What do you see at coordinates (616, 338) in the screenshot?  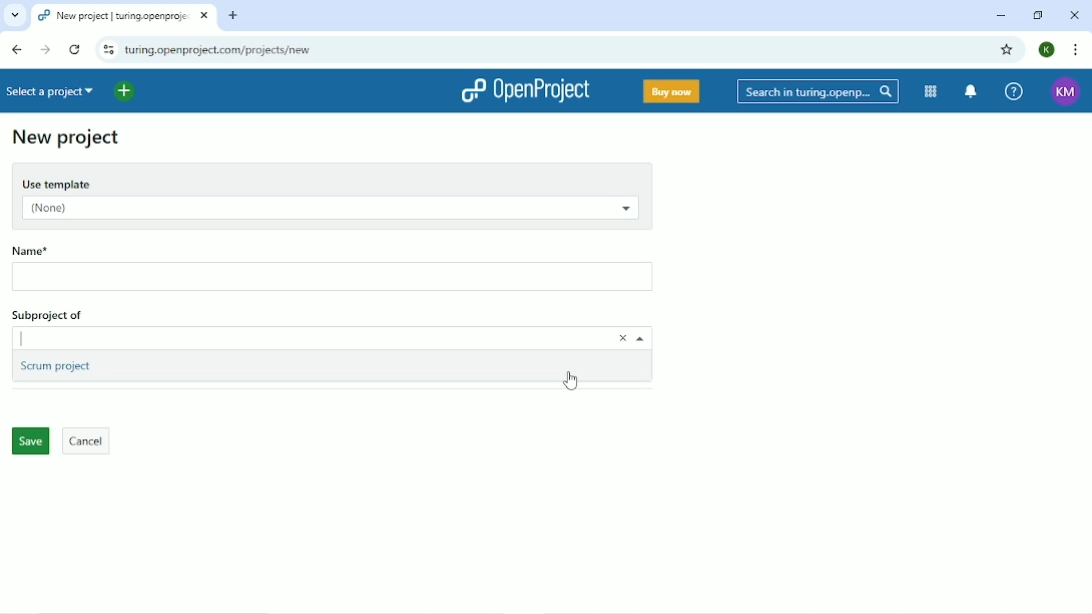 I see `Close` at bounding box center [616, 338].